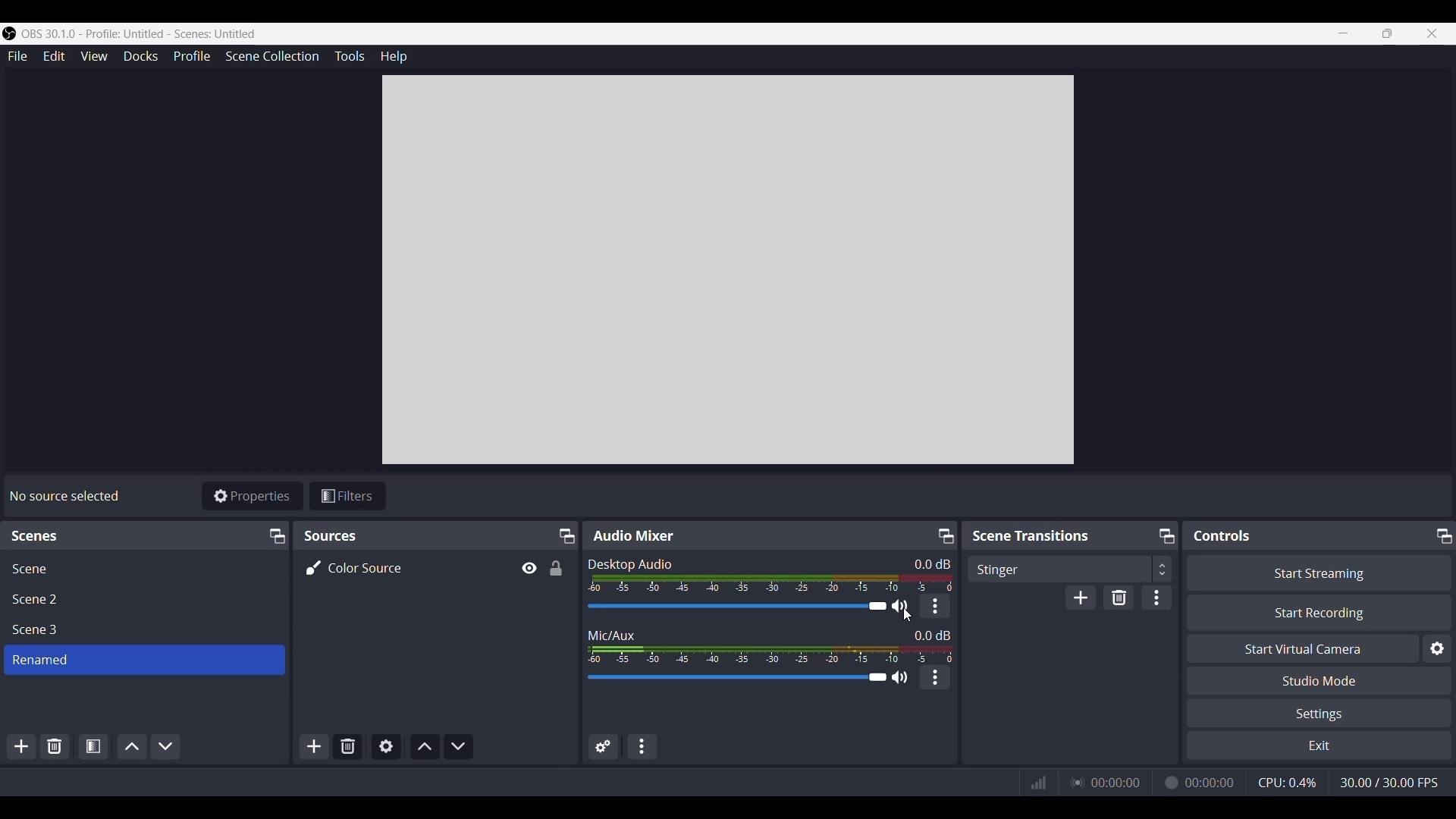 This screenshot has height=819, width=1456. What do you see at coordinates (946, 536) in the screenshot?
I see `Float Audio mixer panel` at bounding box center [946, 536].